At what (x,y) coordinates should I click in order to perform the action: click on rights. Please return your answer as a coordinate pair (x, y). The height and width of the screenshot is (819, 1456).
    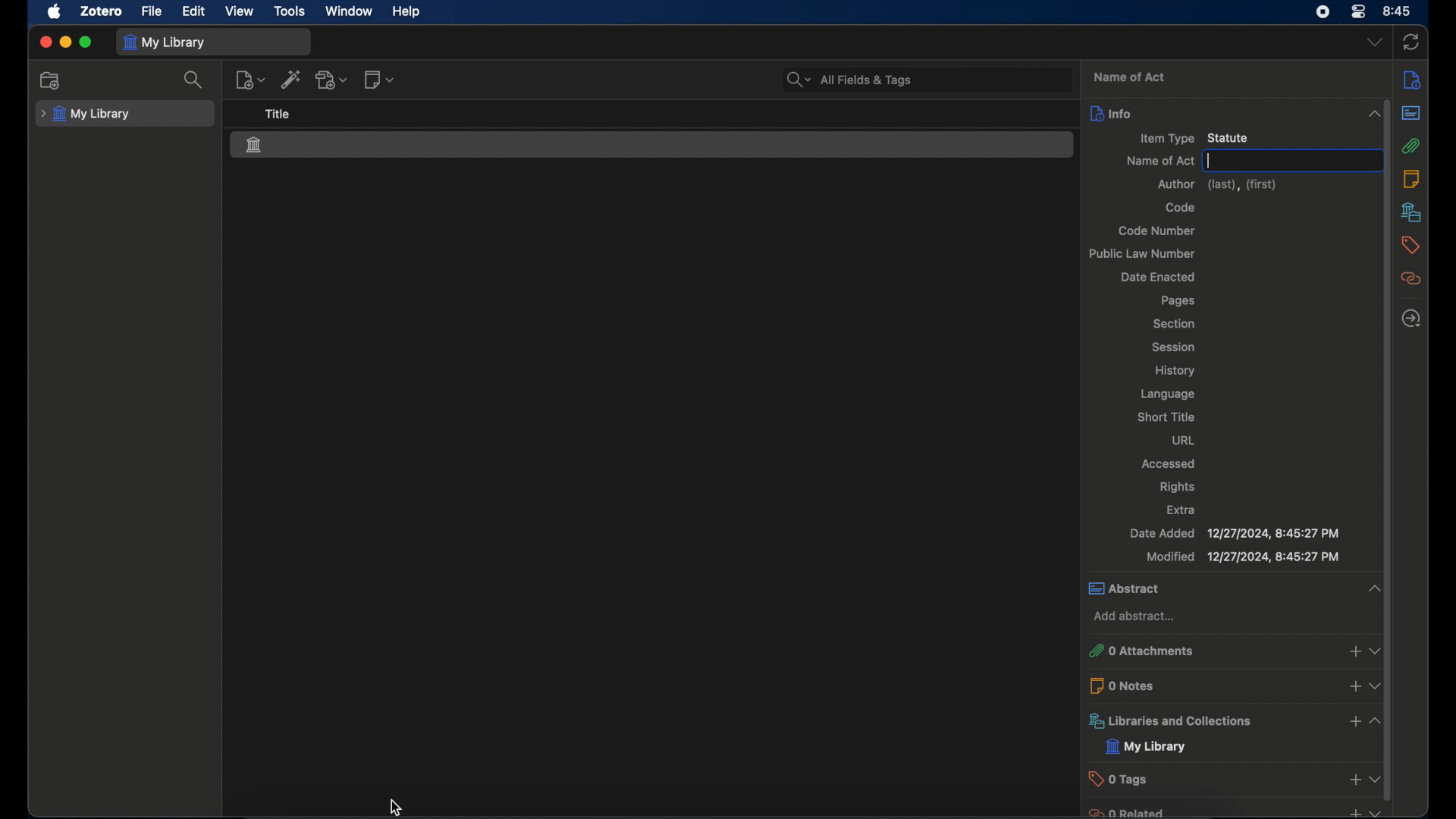
    Looking at the image, I should click on (1177, 488).